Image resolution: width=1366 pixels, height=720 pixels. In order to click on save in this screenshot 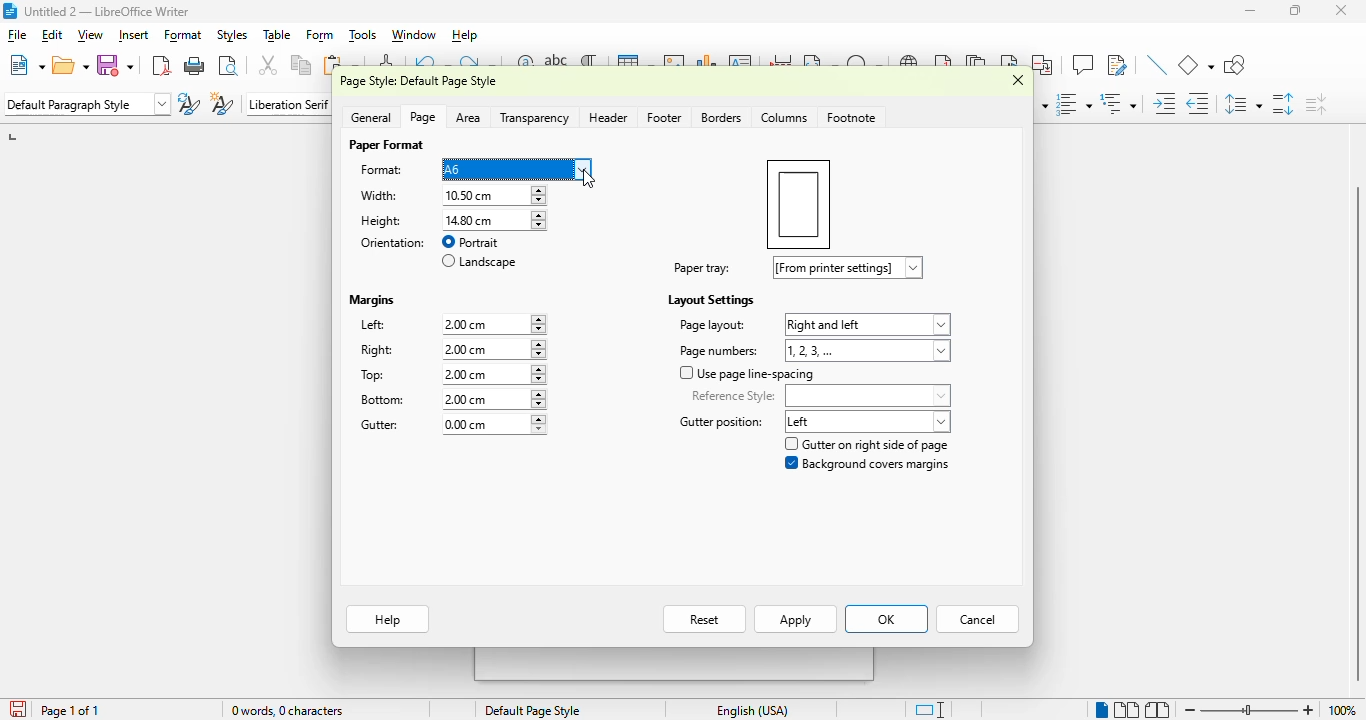, I will do `click(116, 65)`.